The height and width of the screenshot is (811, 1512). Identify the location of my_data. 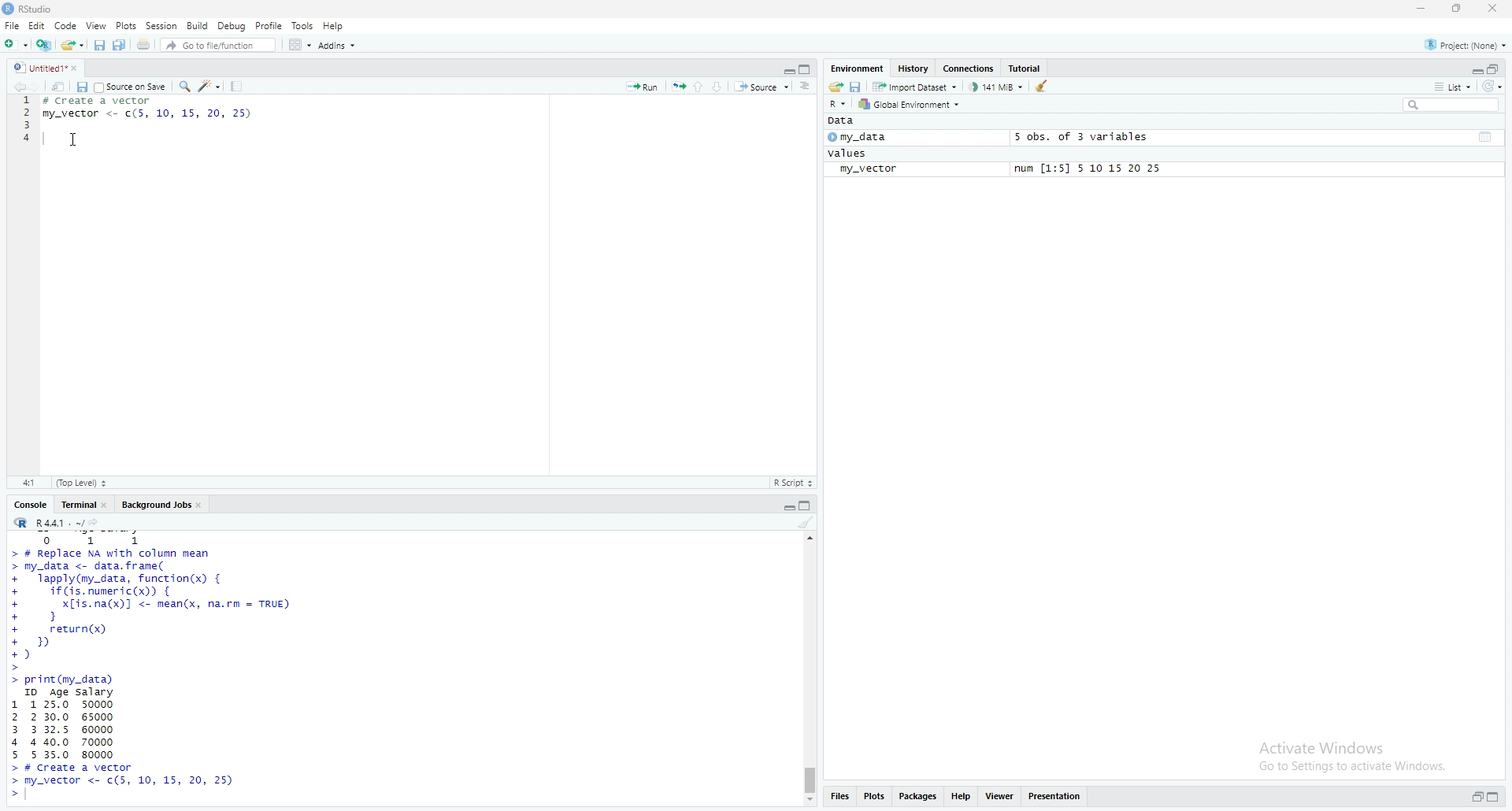
(861, 137).